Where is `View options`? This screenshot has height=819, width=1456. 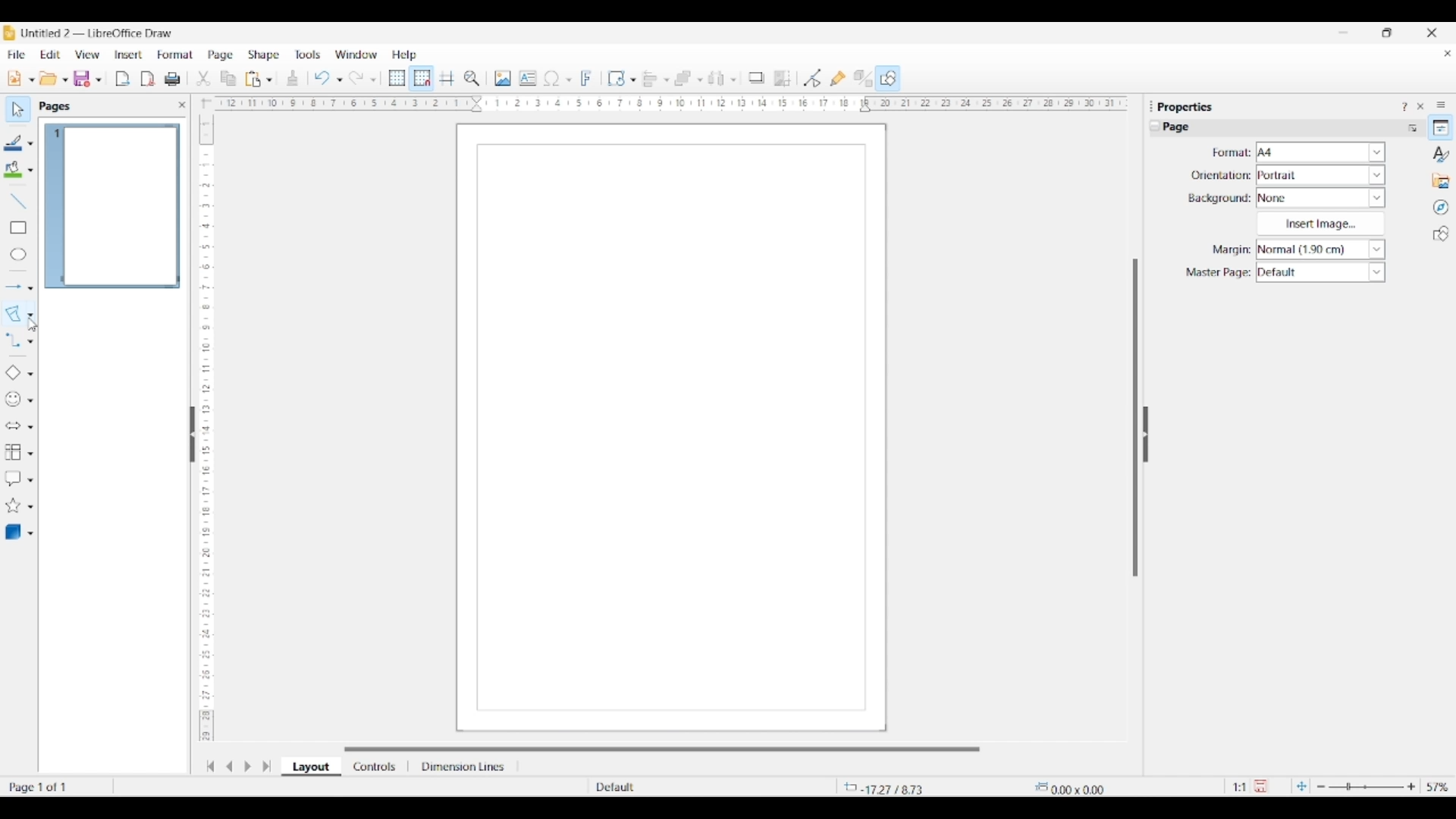
View options is located at coordinates (86, 55).